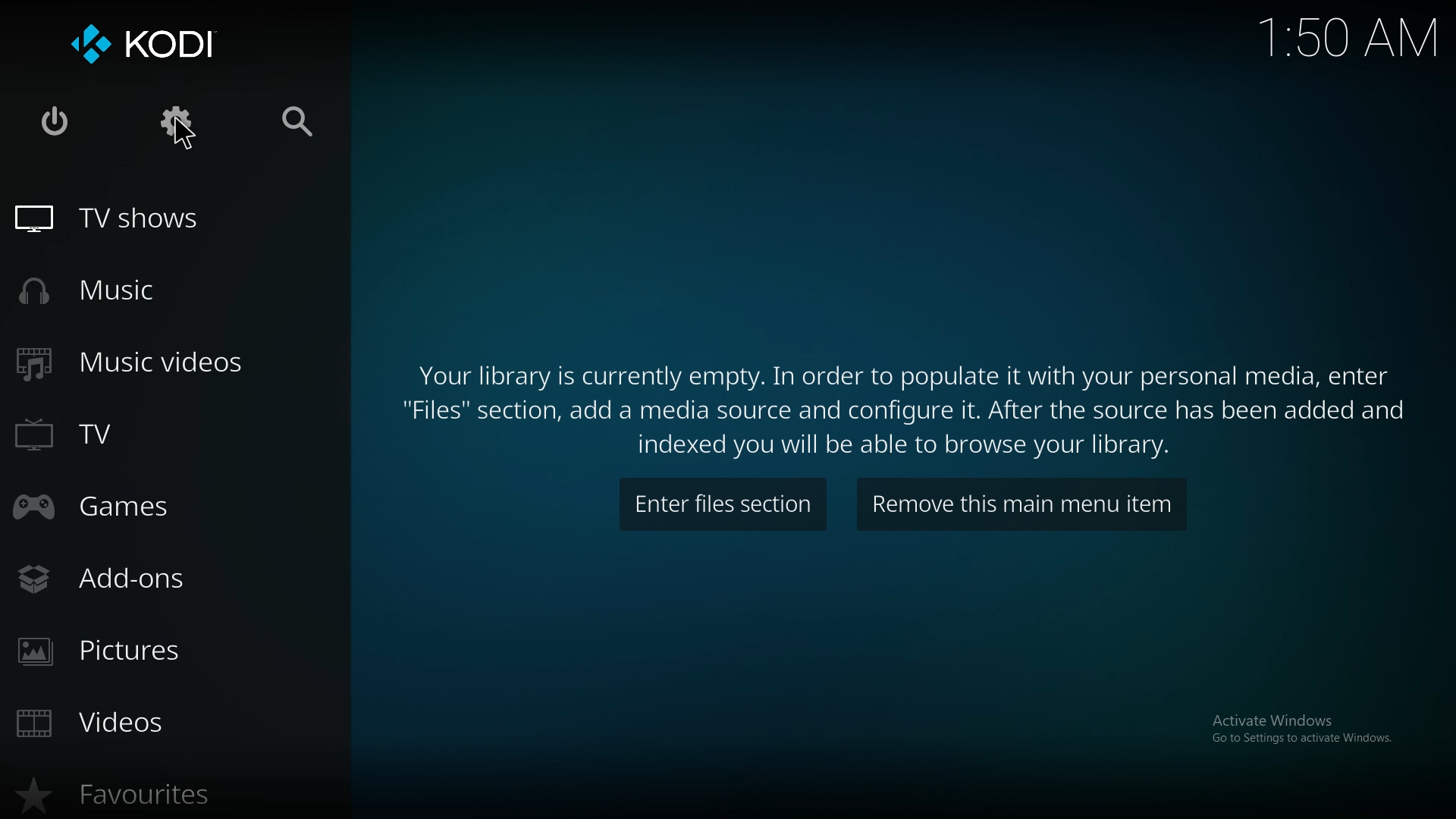 This screenshot has height=819, width=1456. I want to click on kodi, so click(143, 45).